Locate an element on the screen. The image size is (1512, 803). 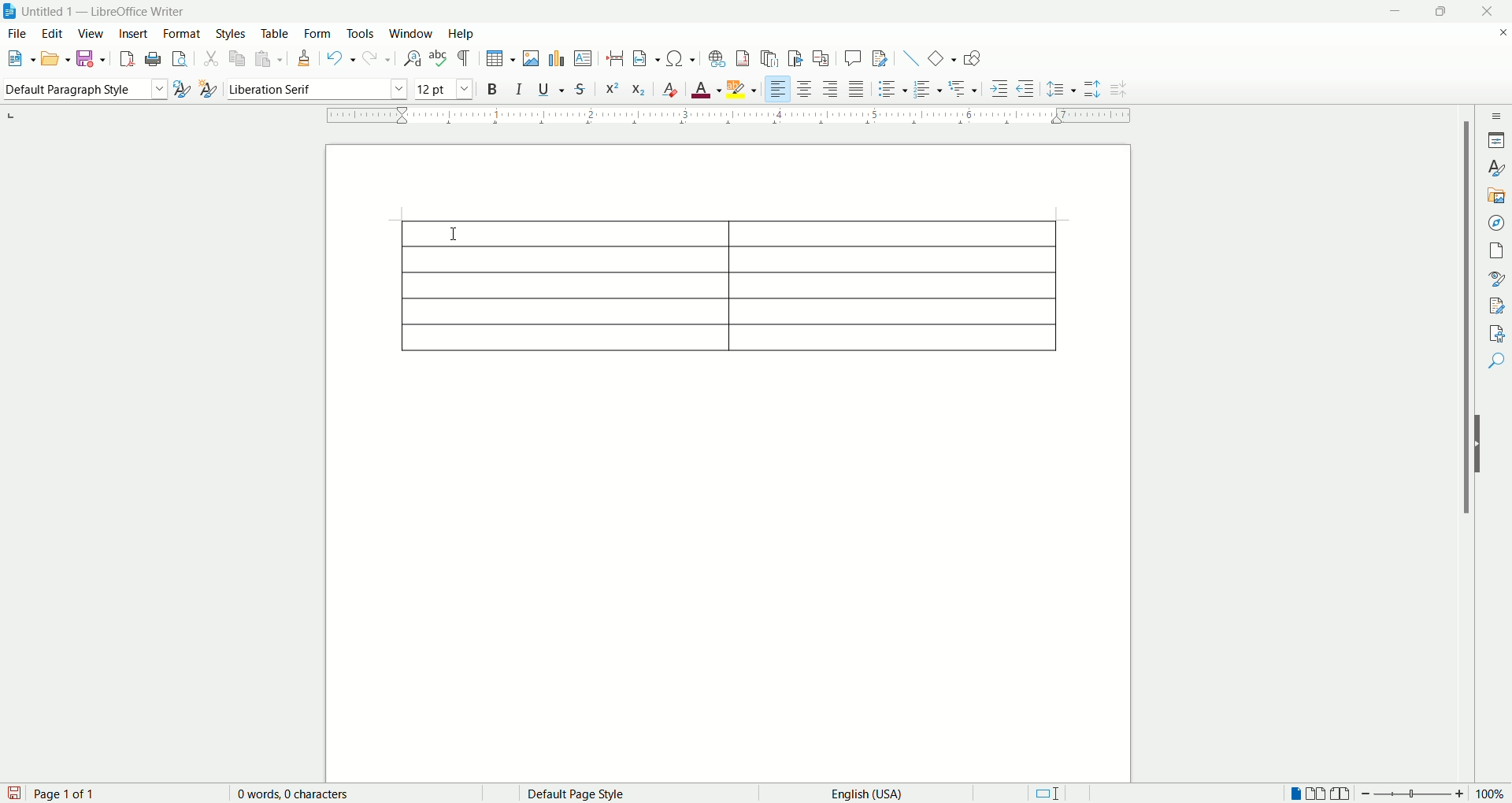
justified is located at coordinates (857, 88).